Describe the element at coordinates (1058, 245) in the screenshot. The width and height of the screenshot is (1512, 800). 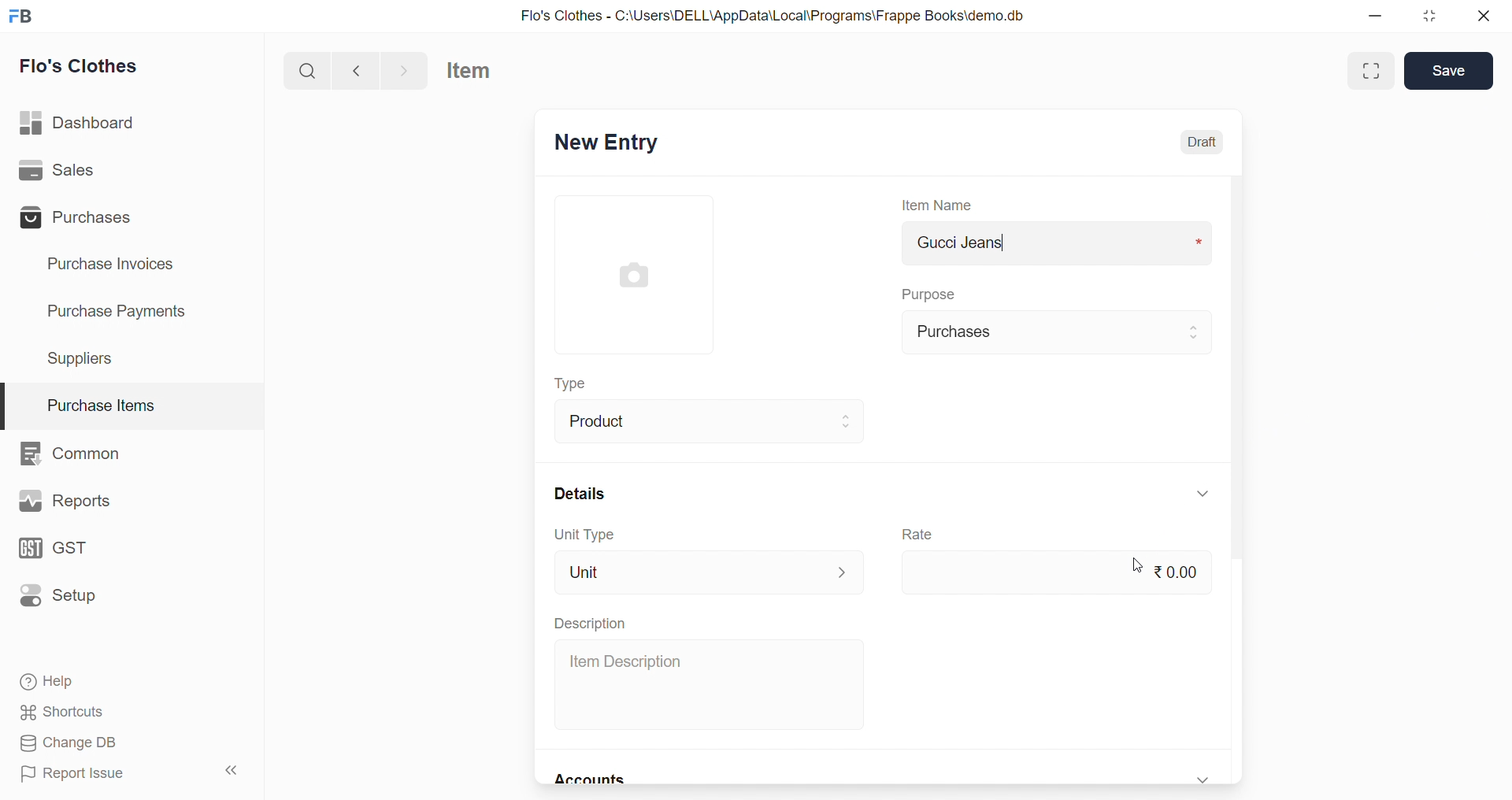
I see `Gucci Jeans` at that location.